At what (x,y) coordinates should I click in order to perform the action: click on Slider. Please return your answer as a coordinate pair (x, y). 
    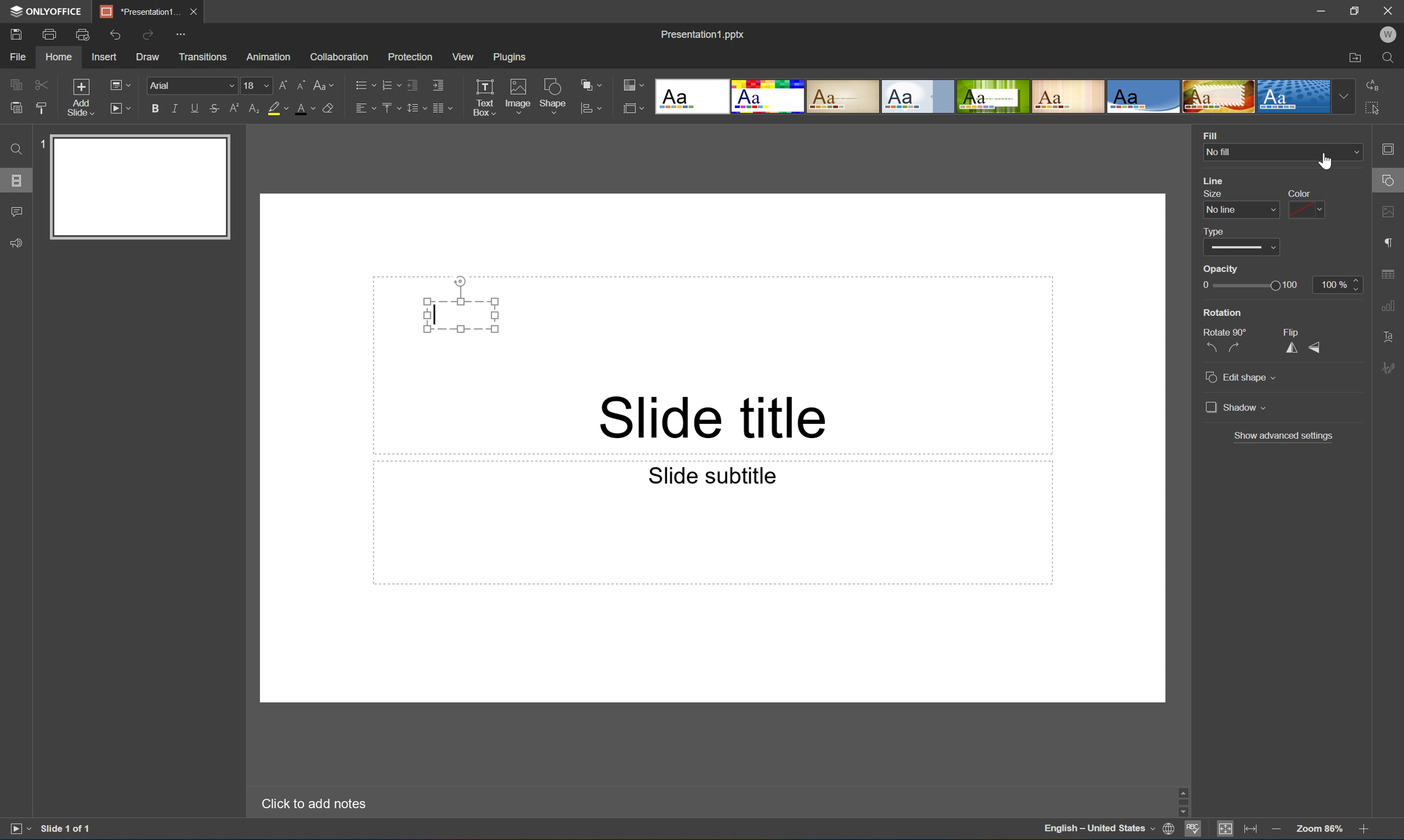
    Looking at the image, I should click on (1251, 285).